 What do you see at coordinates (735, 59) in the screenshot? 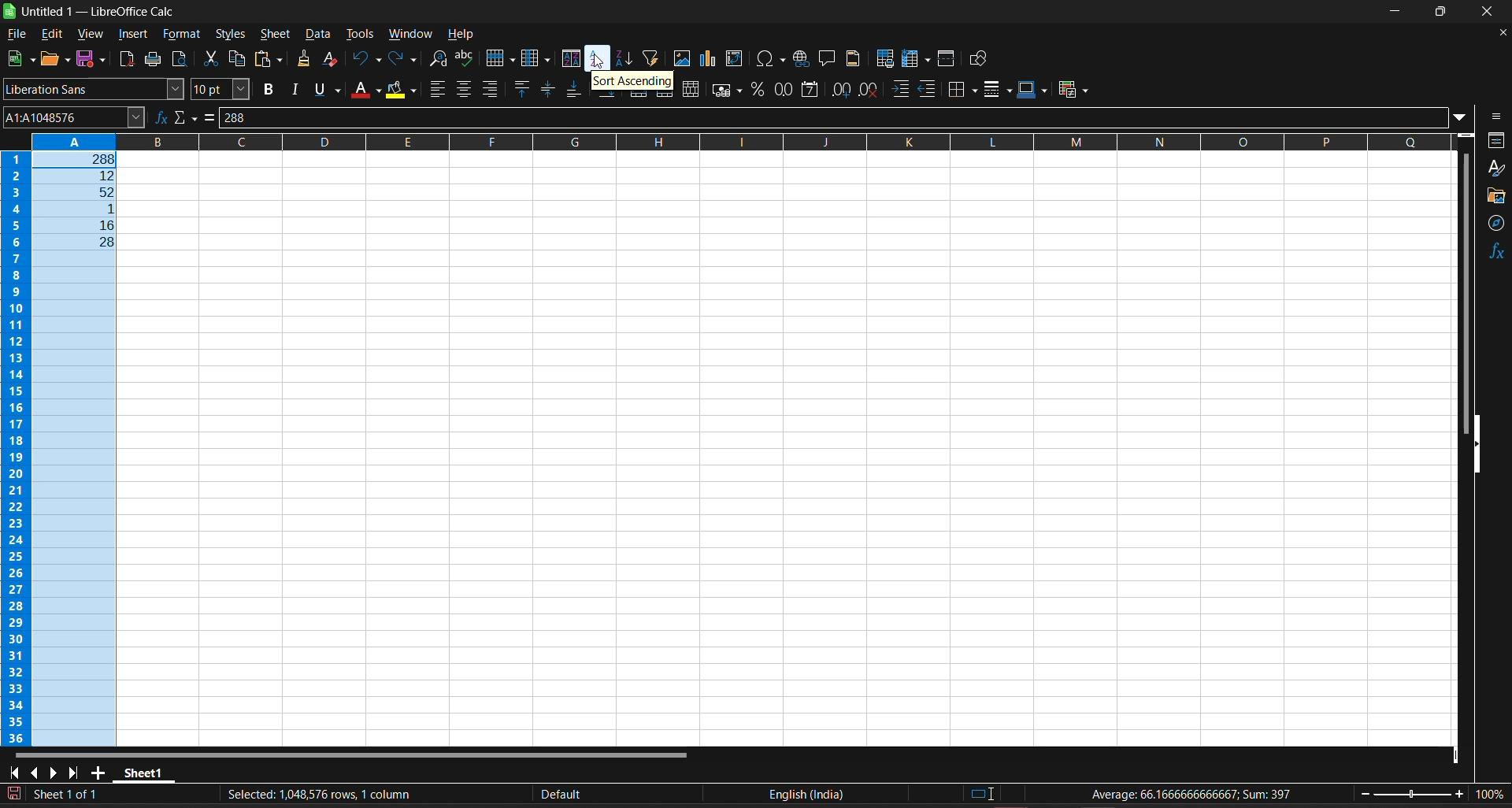
I see `insert or edit pivot table` at bounding box center [735, 59].